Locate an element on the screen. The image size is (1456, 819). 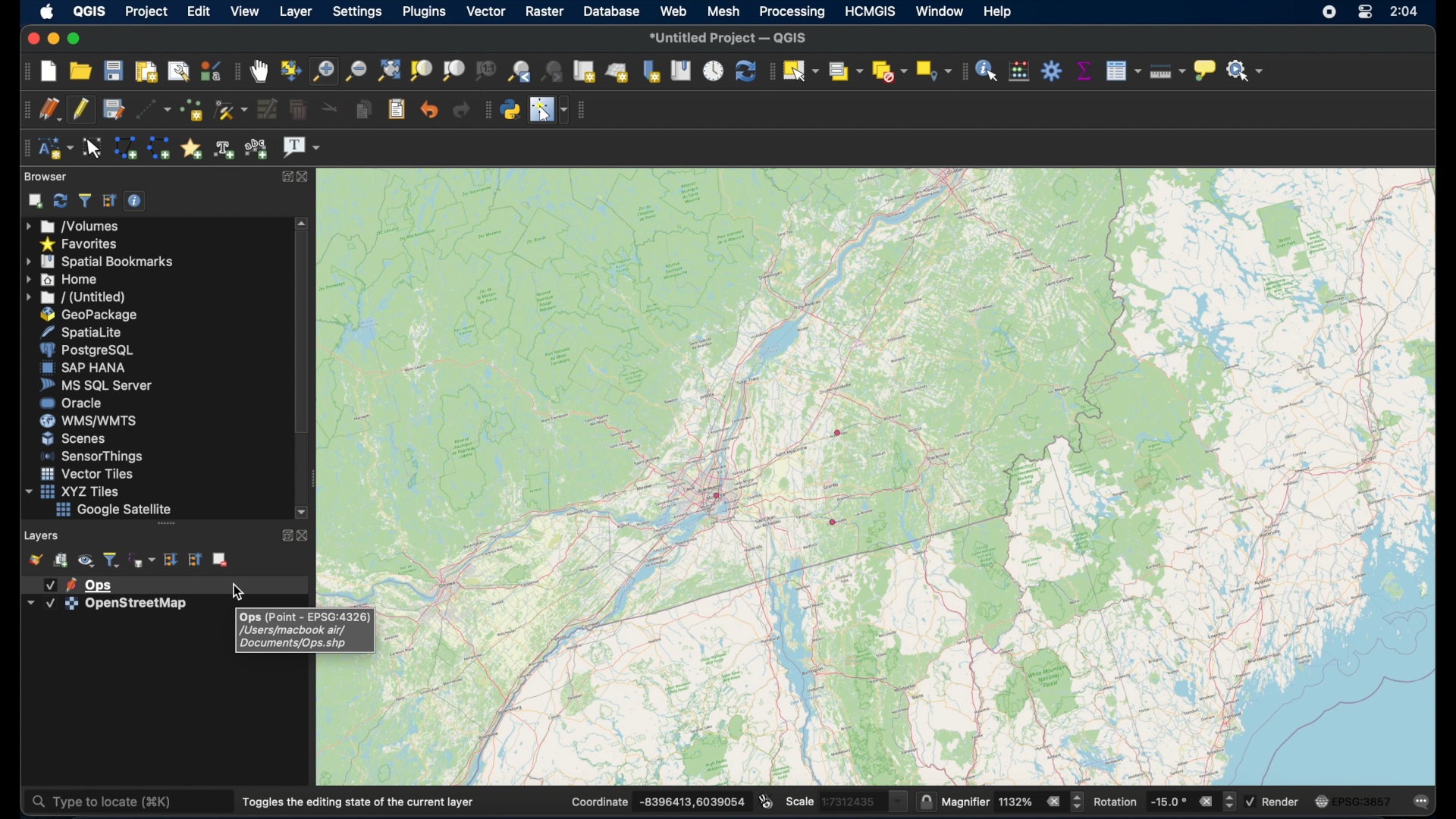
google satellite is located at coordinates (113, 510).